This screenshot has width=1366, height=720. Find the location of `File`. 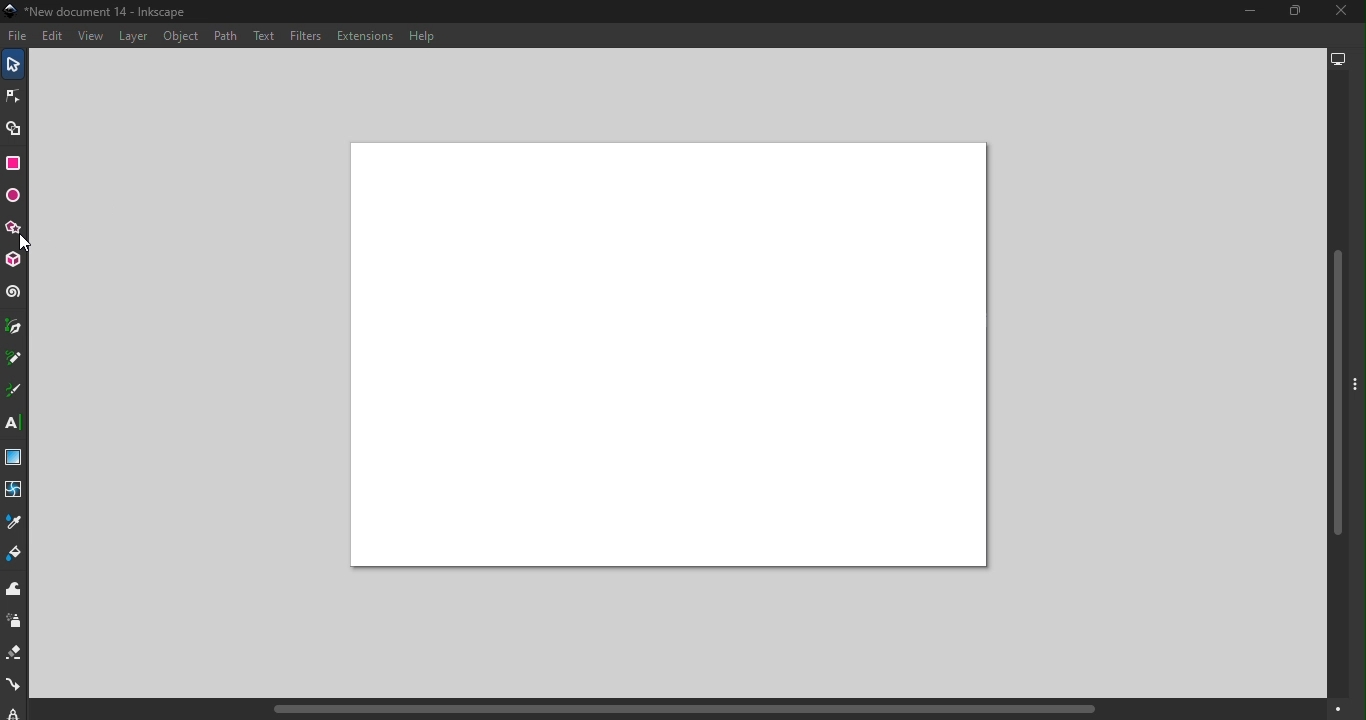

File is located at coordinates (21, 36).